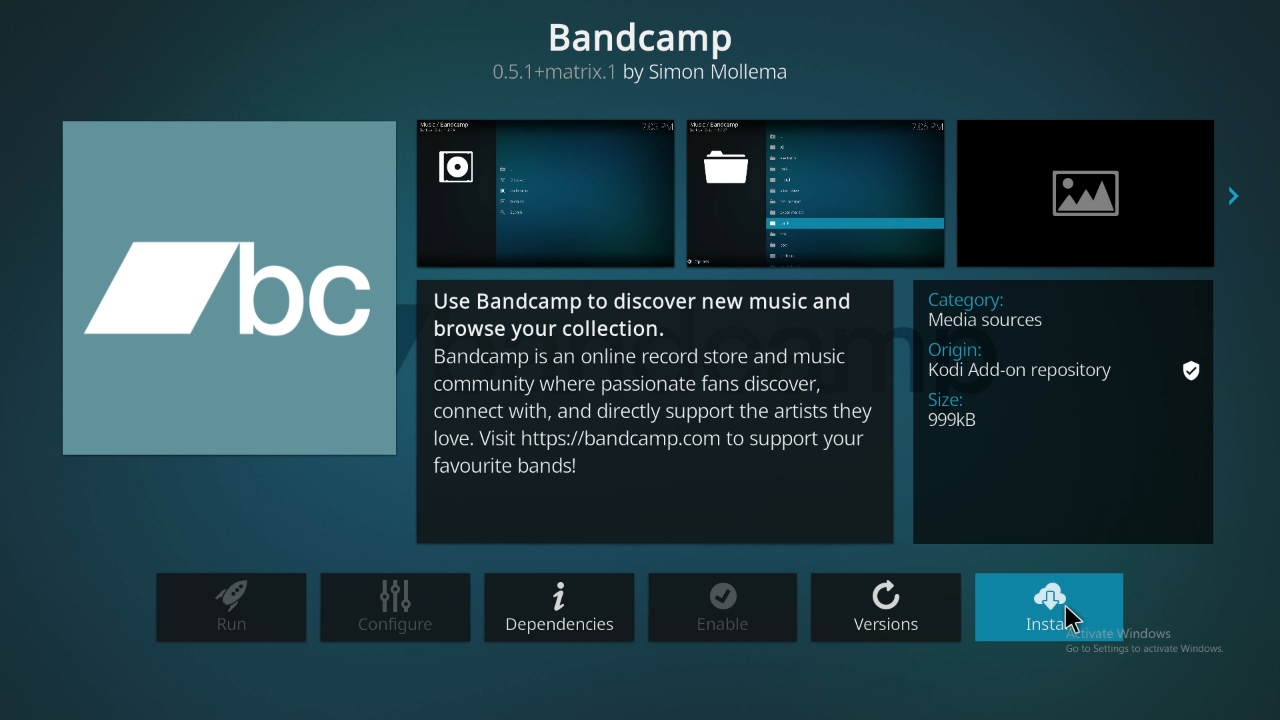  I want to click on run, so click(230, 609).